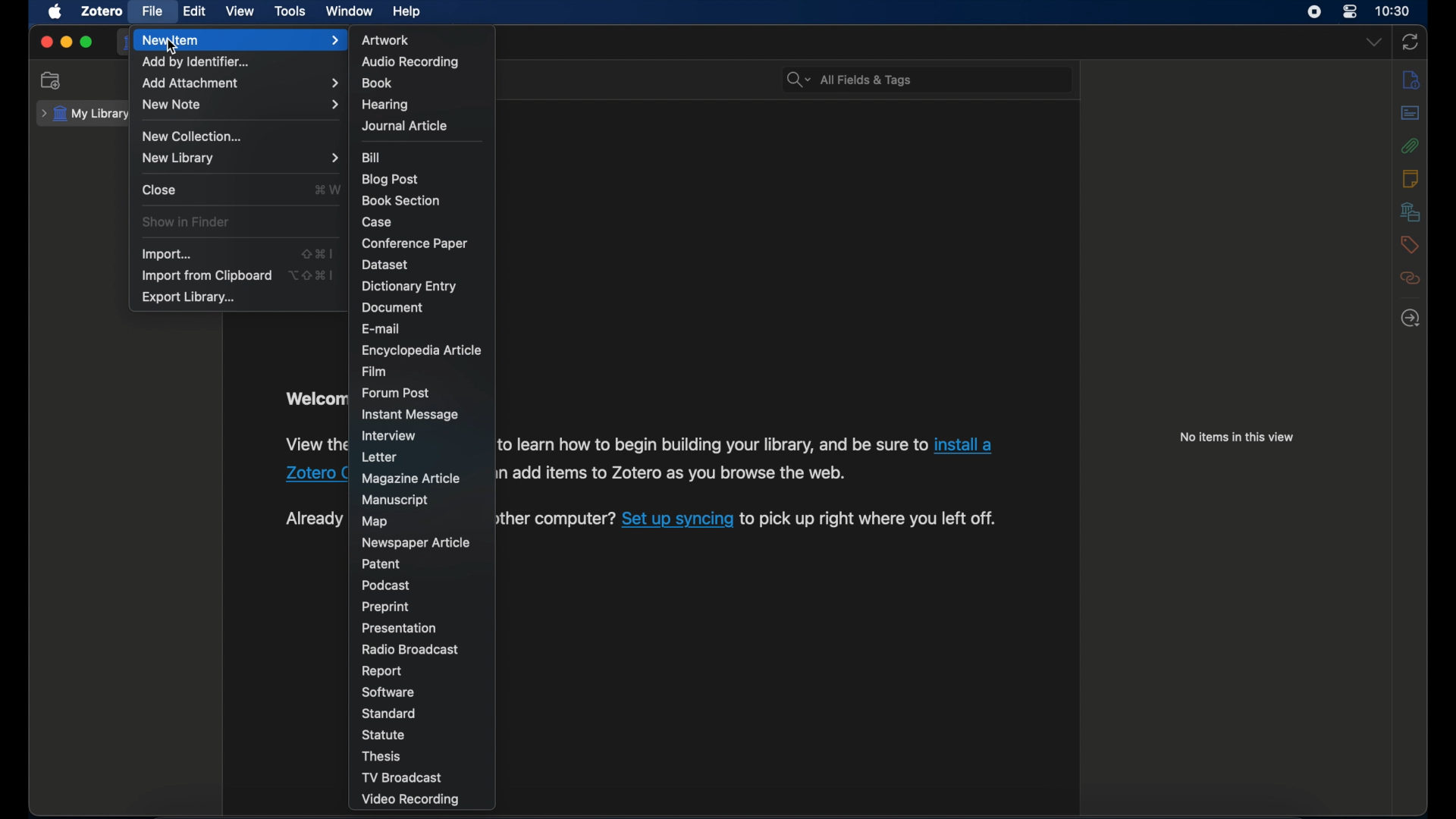 The width and height of the screenshot is (1456, 819). Describe the element at coordinates (391, 179) in the screenshot. I see `blog post` at that location.